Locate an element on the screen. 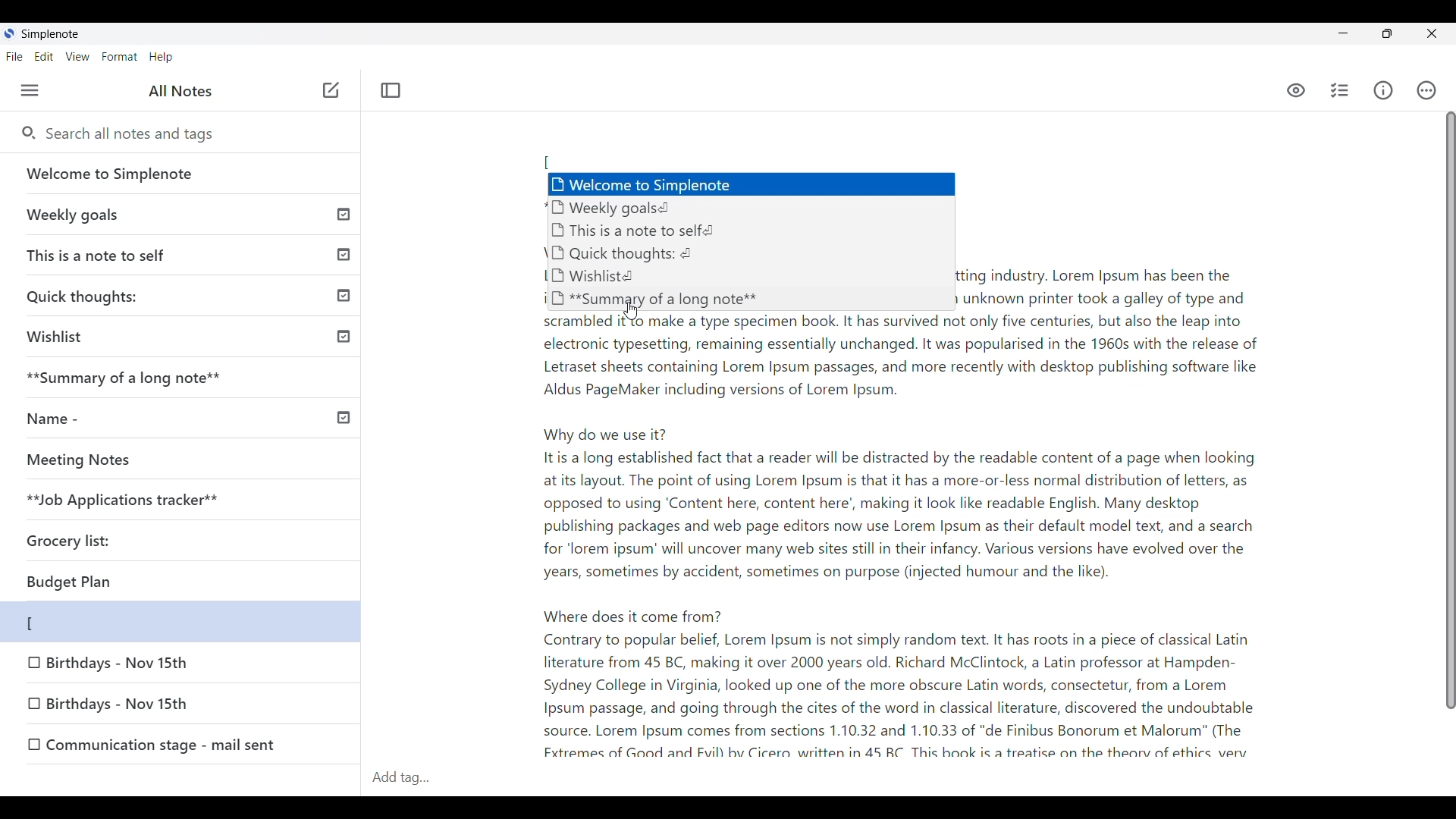 The image size is (1456, 819). Communication stage - mail sent is located at coordinates (189, 743).